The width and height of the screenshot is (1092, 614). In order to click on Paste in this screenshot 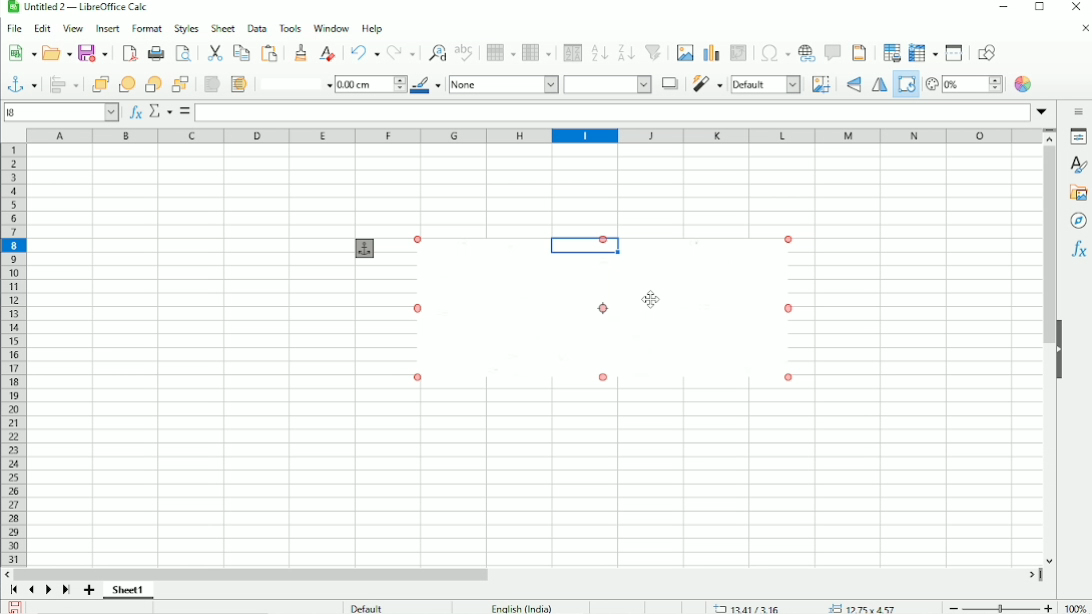, I will do `click(269, 52)`.